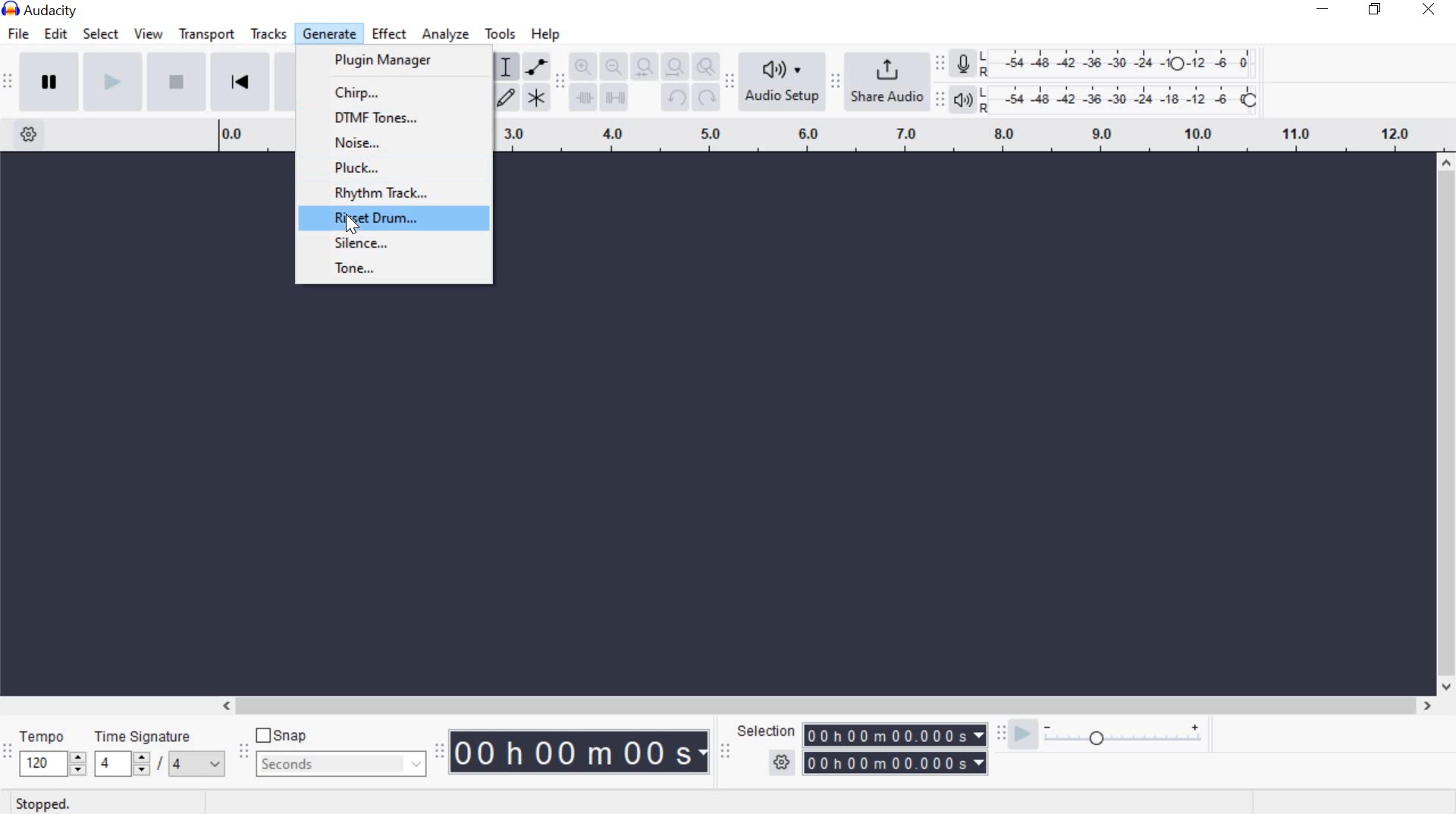  Describe the element at coordinates (205, 37) in the screenshot. I see `transport` at that location.